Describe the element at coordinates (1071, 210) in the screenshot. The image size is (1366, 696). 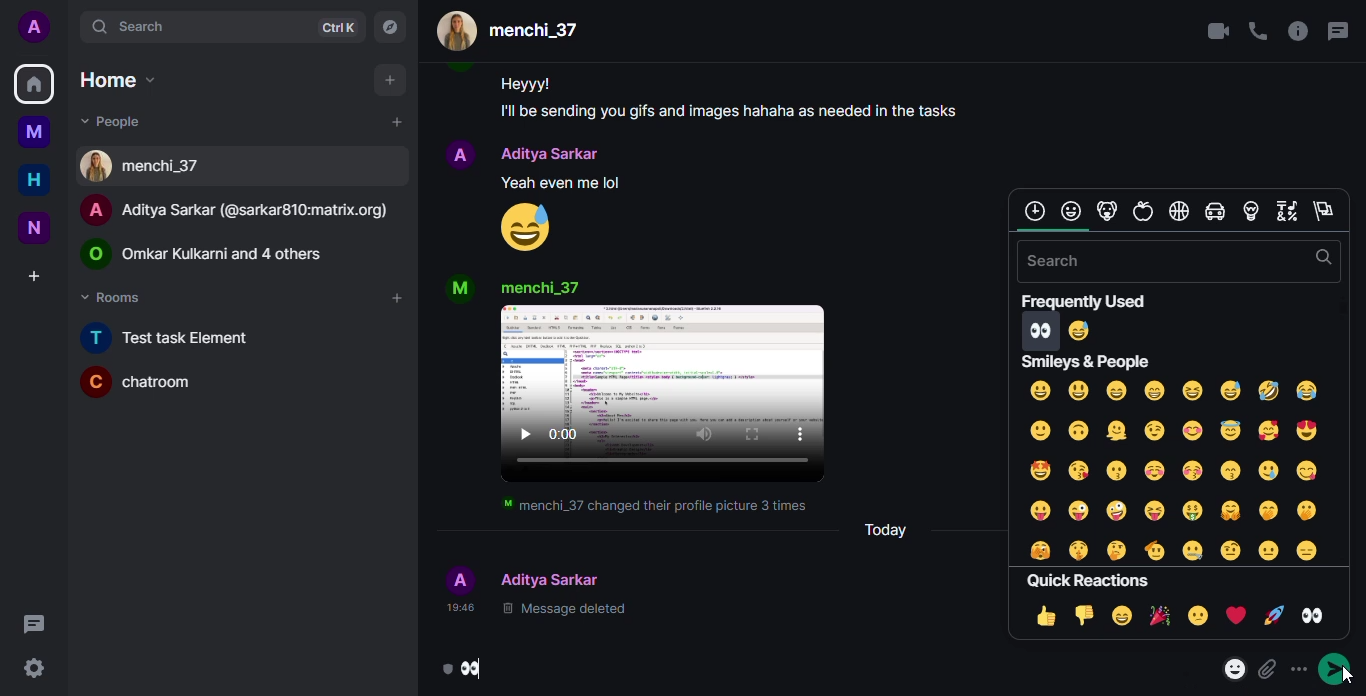
I see `smilley` at that location.